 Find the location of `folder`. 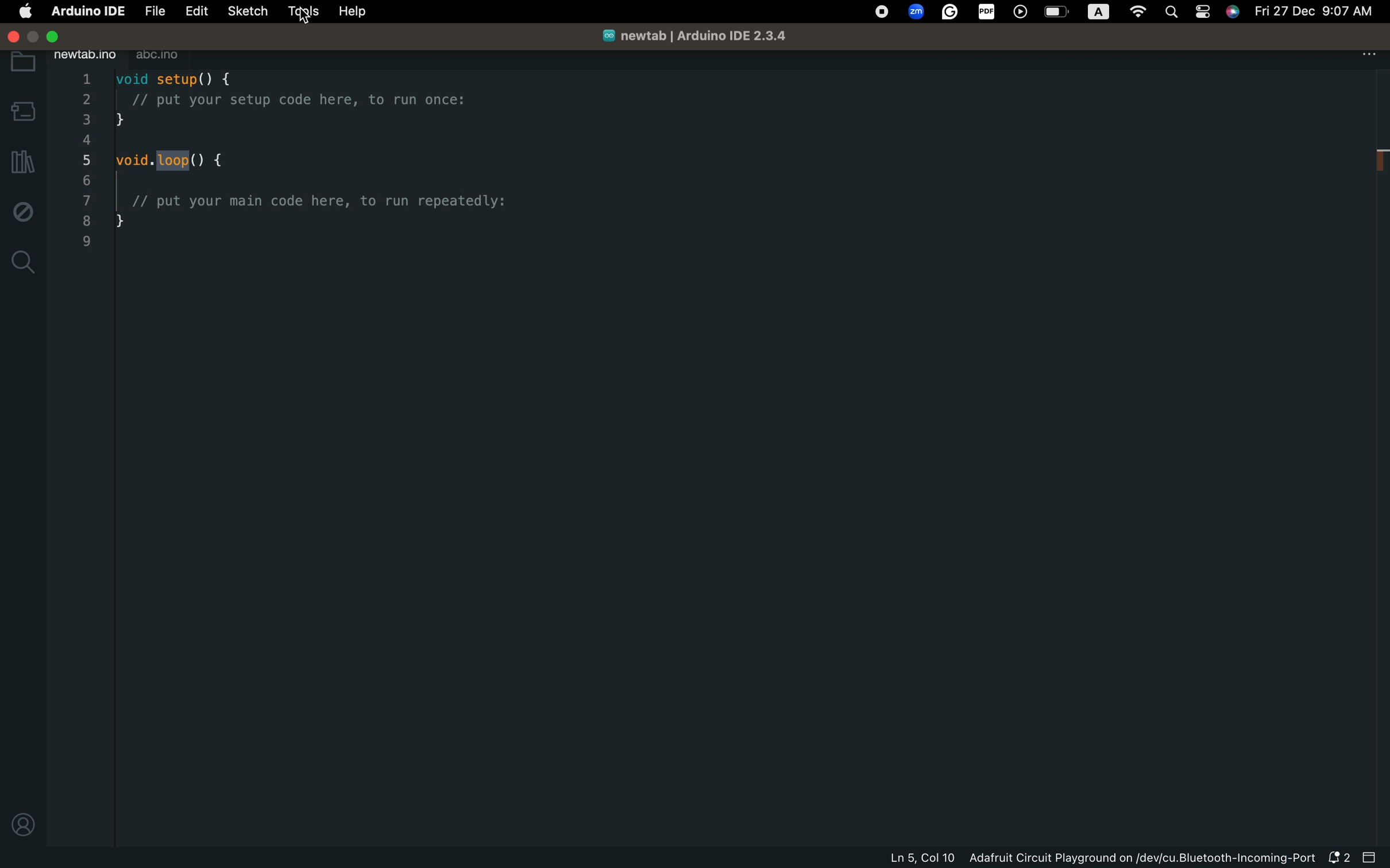

folder is located at coordinates (23, 63).